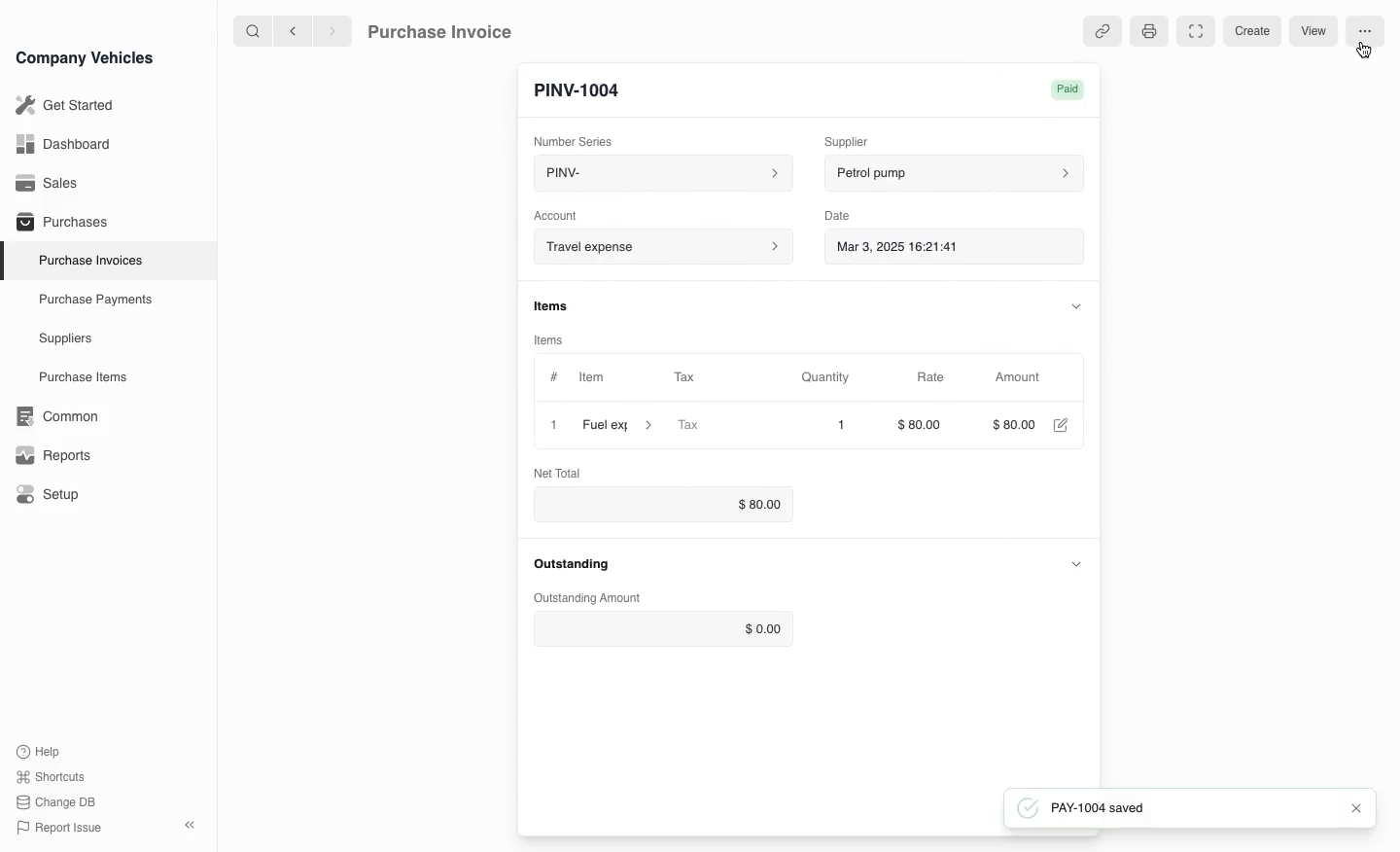 The width and height of the screenshot is (1400, 852). Describe the element at coordinates (48, 183) in the screenshot. I see `Sales` at that location.